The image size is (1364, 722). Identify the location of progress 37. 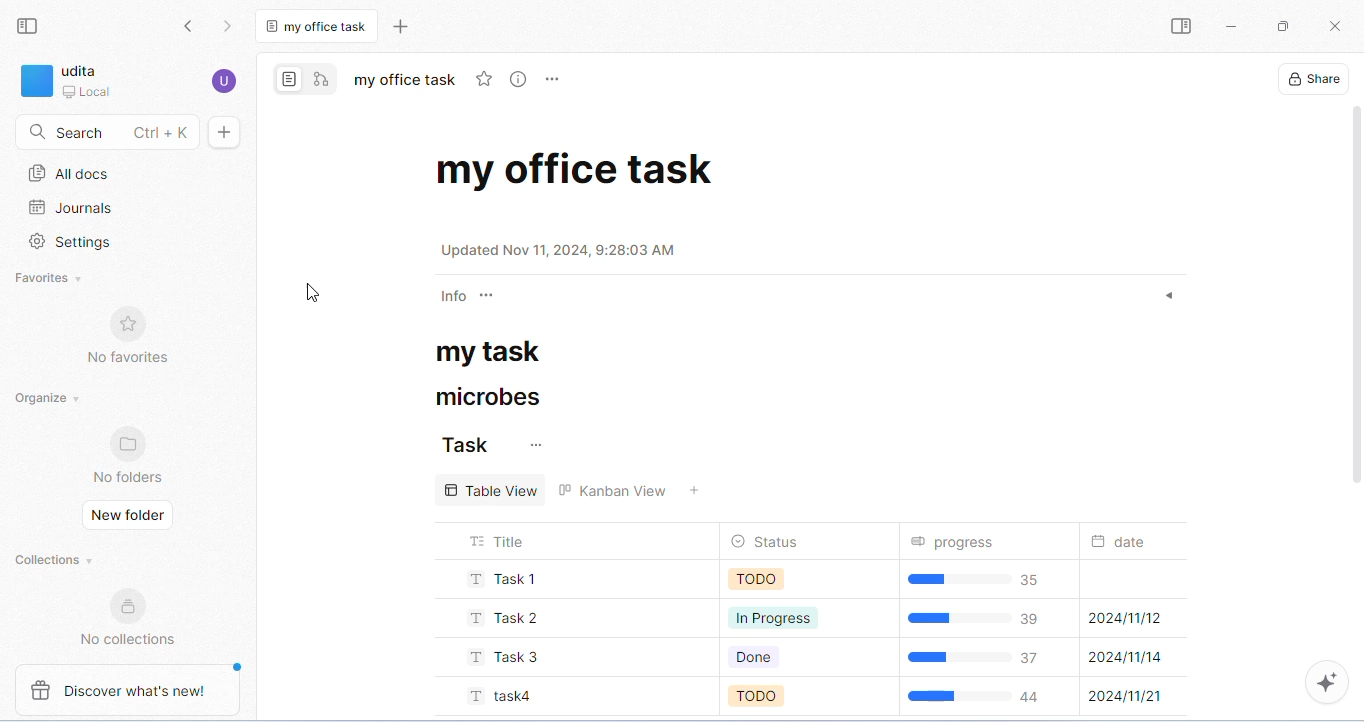
(985, 656).